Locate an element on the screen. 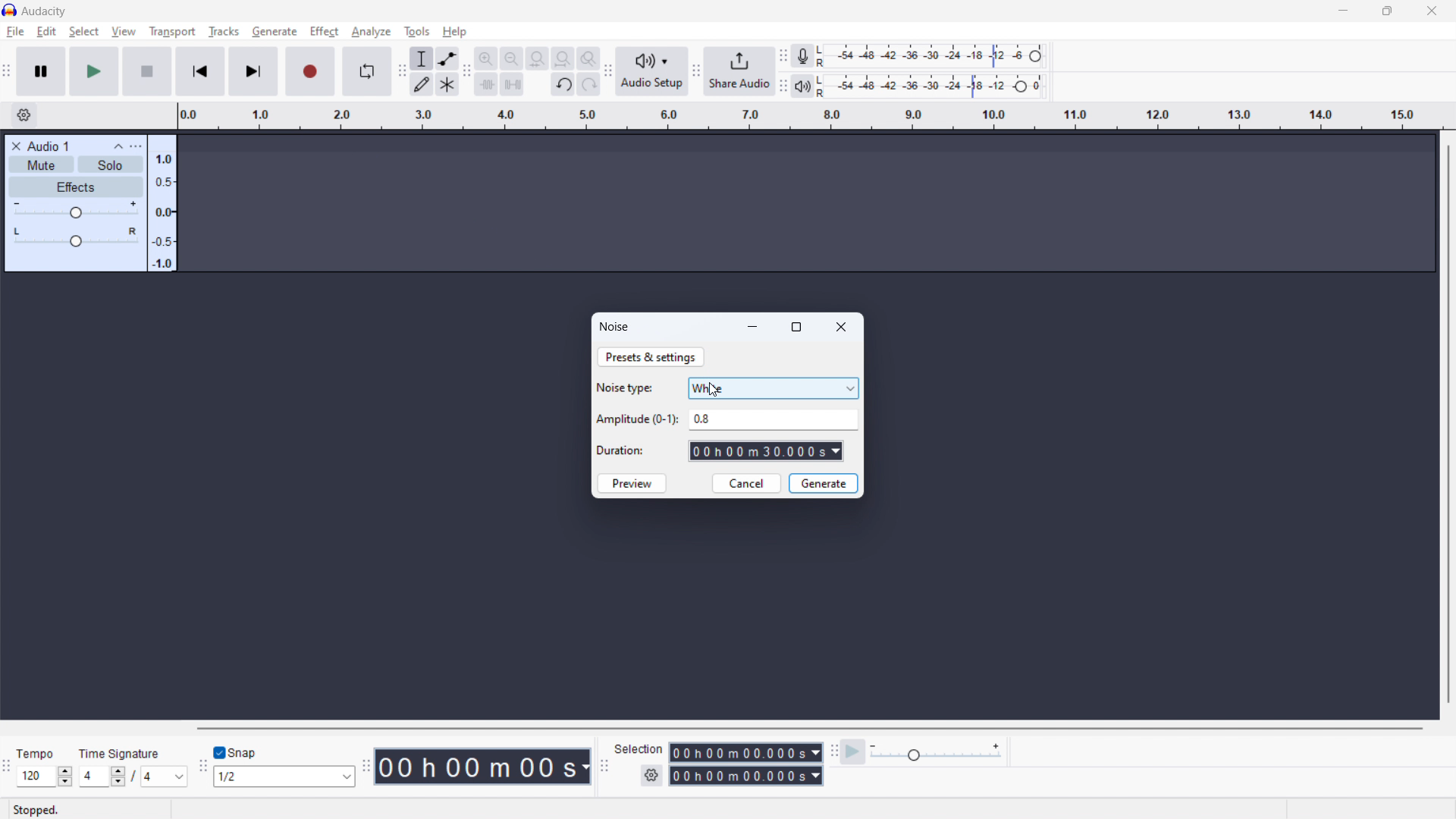  effect is located at coordinates (324, 32).